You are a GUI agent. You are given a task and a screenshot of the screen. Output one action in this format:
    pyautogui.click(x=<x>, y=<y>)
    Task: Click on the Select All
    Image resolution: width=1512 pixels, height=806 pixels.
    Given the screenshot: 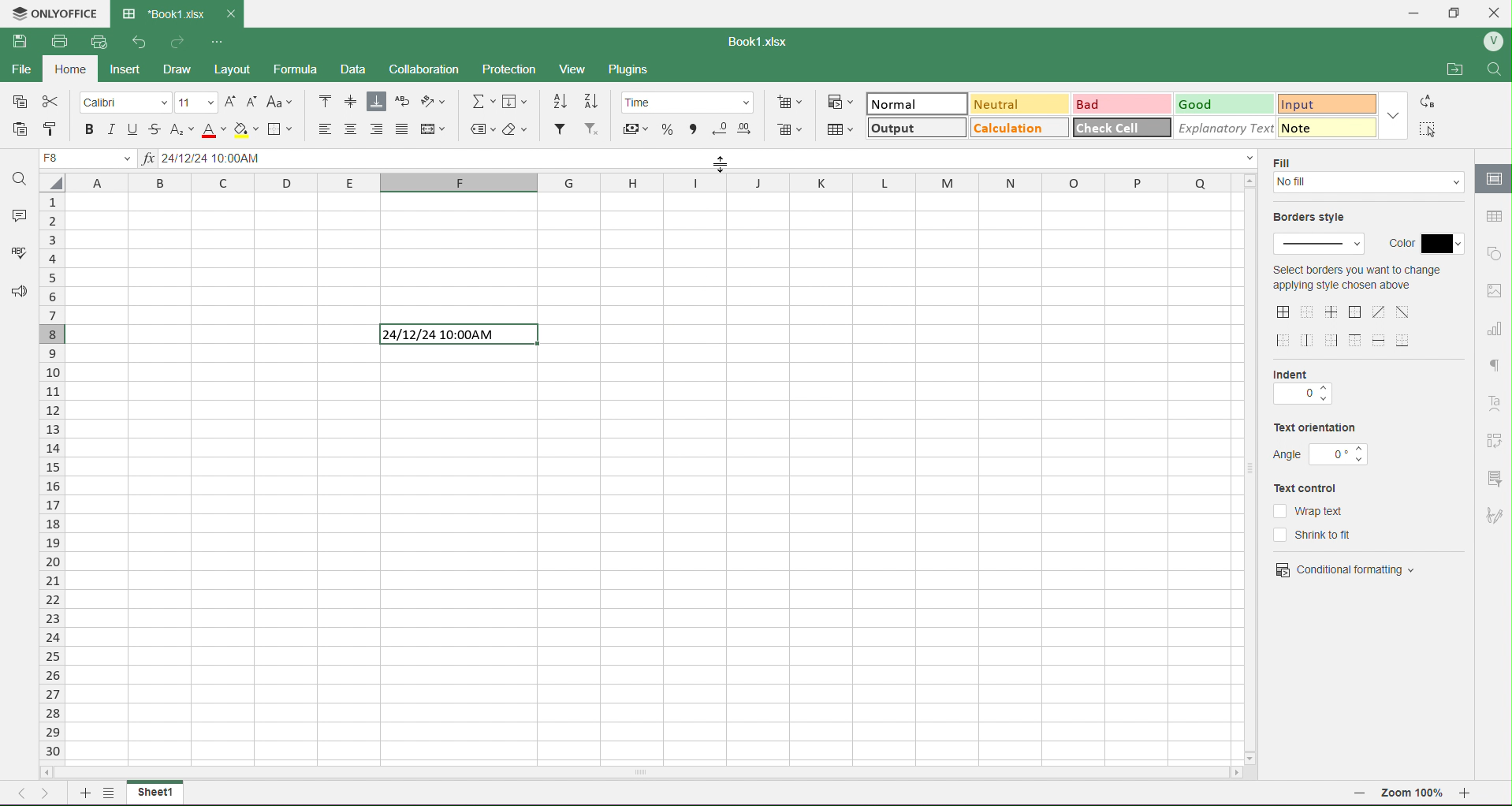 What is the action you would take?
    pyautogui.click(x=1431, y=129)
    